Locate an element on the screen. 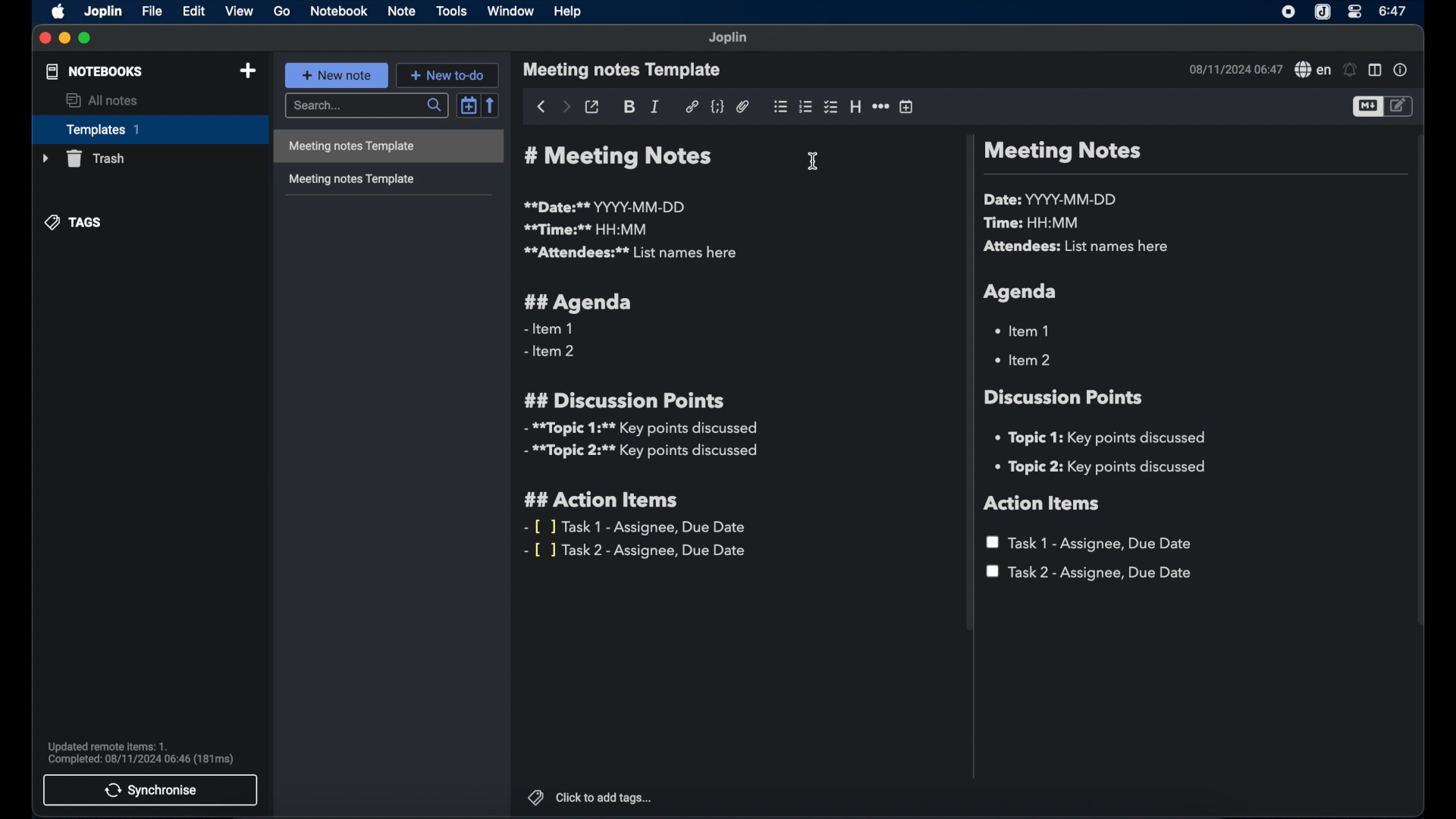 The width and height of the screenshot is (1456, 819). screen recorder icon is located at coordinates (1289, 12).